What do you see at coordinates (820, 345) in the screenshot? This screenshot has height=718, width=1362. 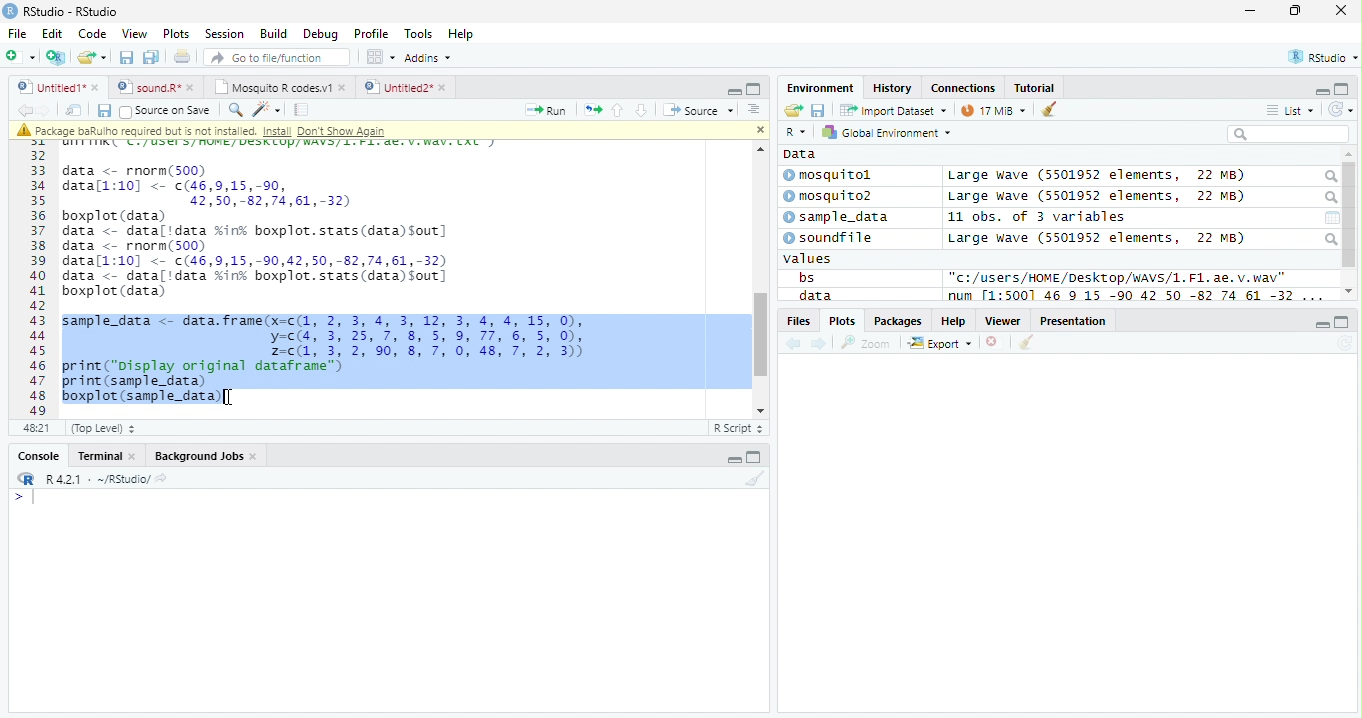 I see `go forward` at bounding box center [820, 345].